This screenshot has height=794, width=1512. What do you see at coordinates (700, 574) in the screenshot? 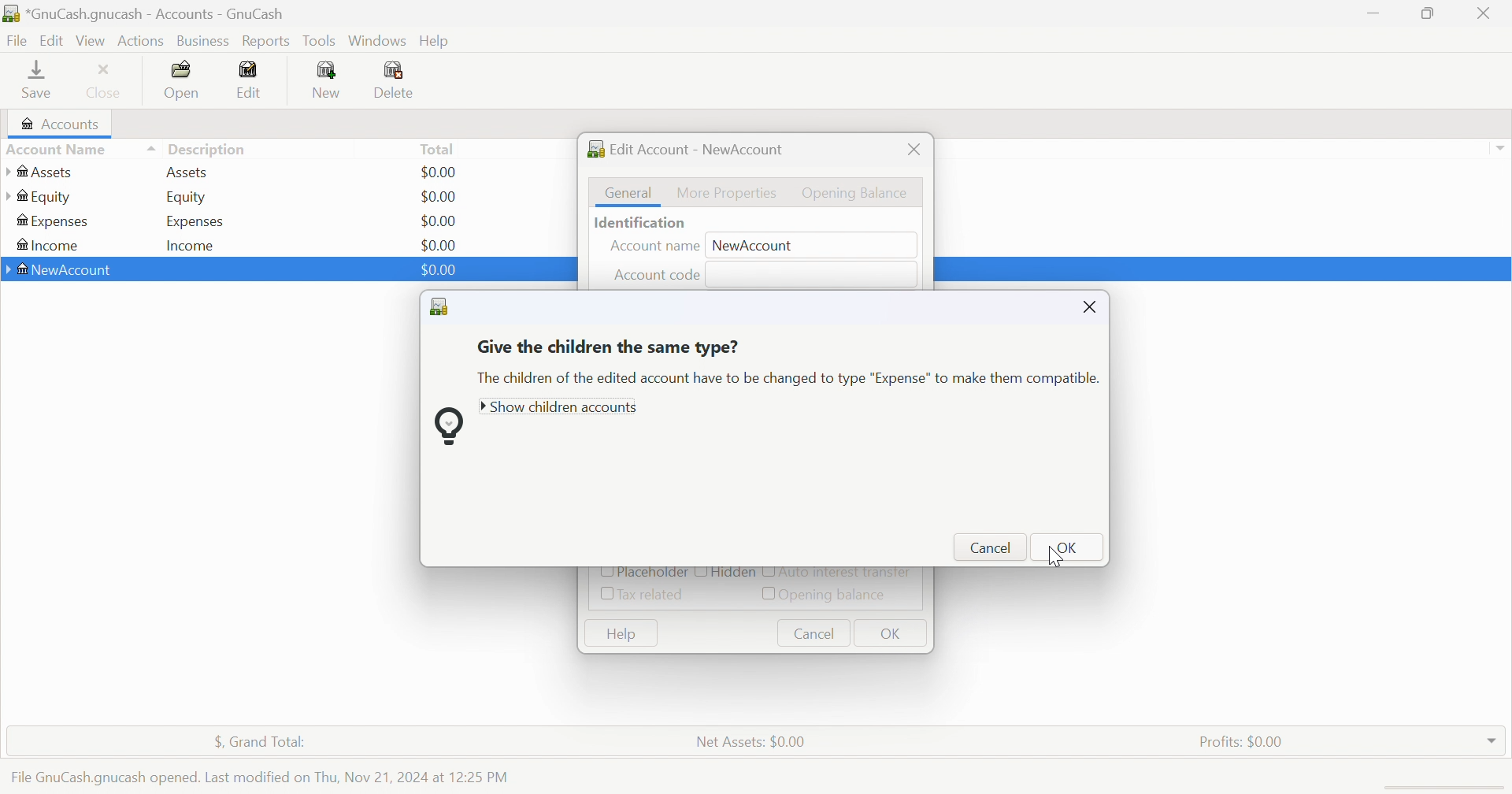
I see `checkbox` at bounding box center [700, 574].